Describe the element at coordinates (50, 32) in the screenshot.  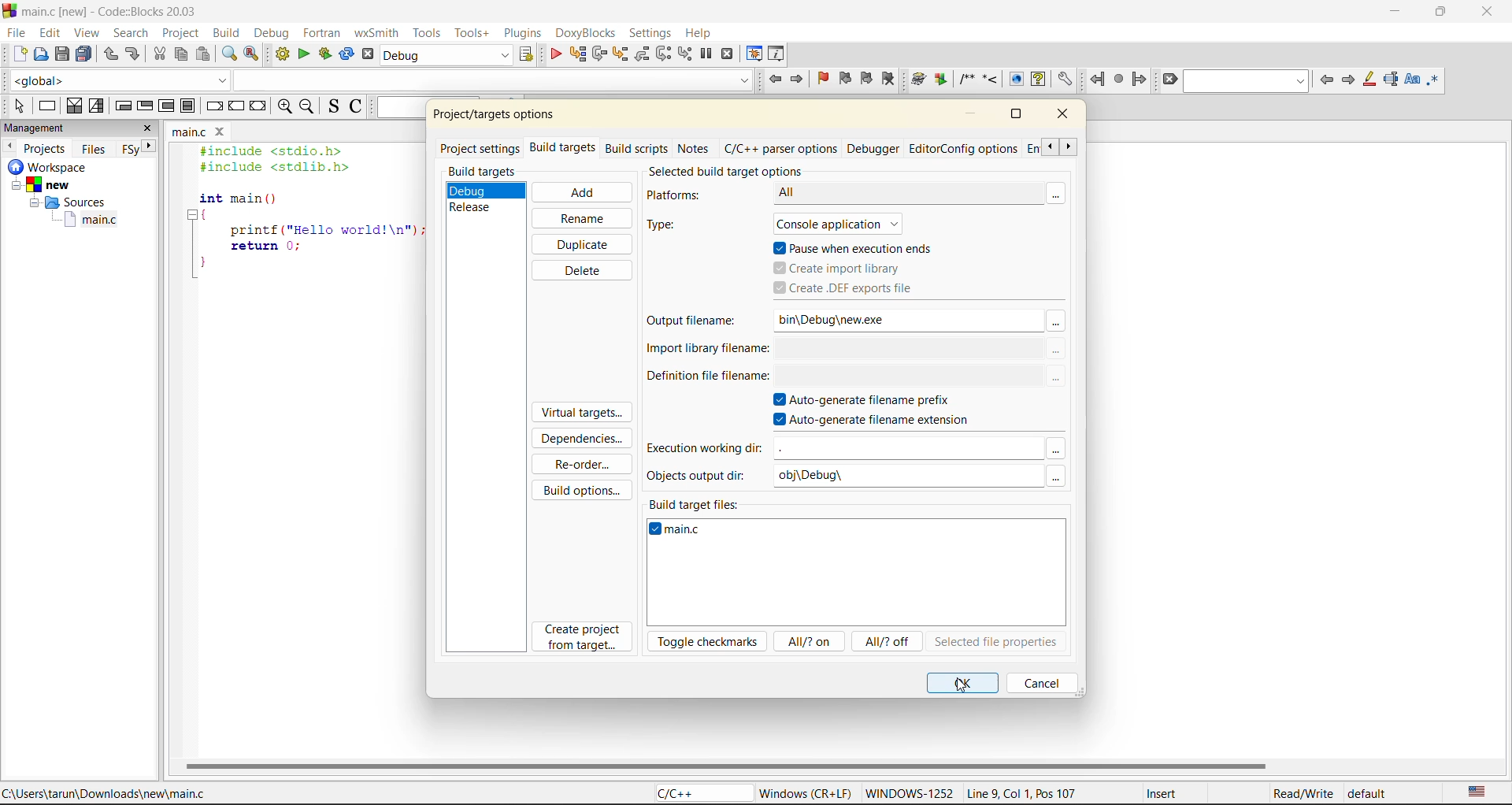
I see `edit` at that location.